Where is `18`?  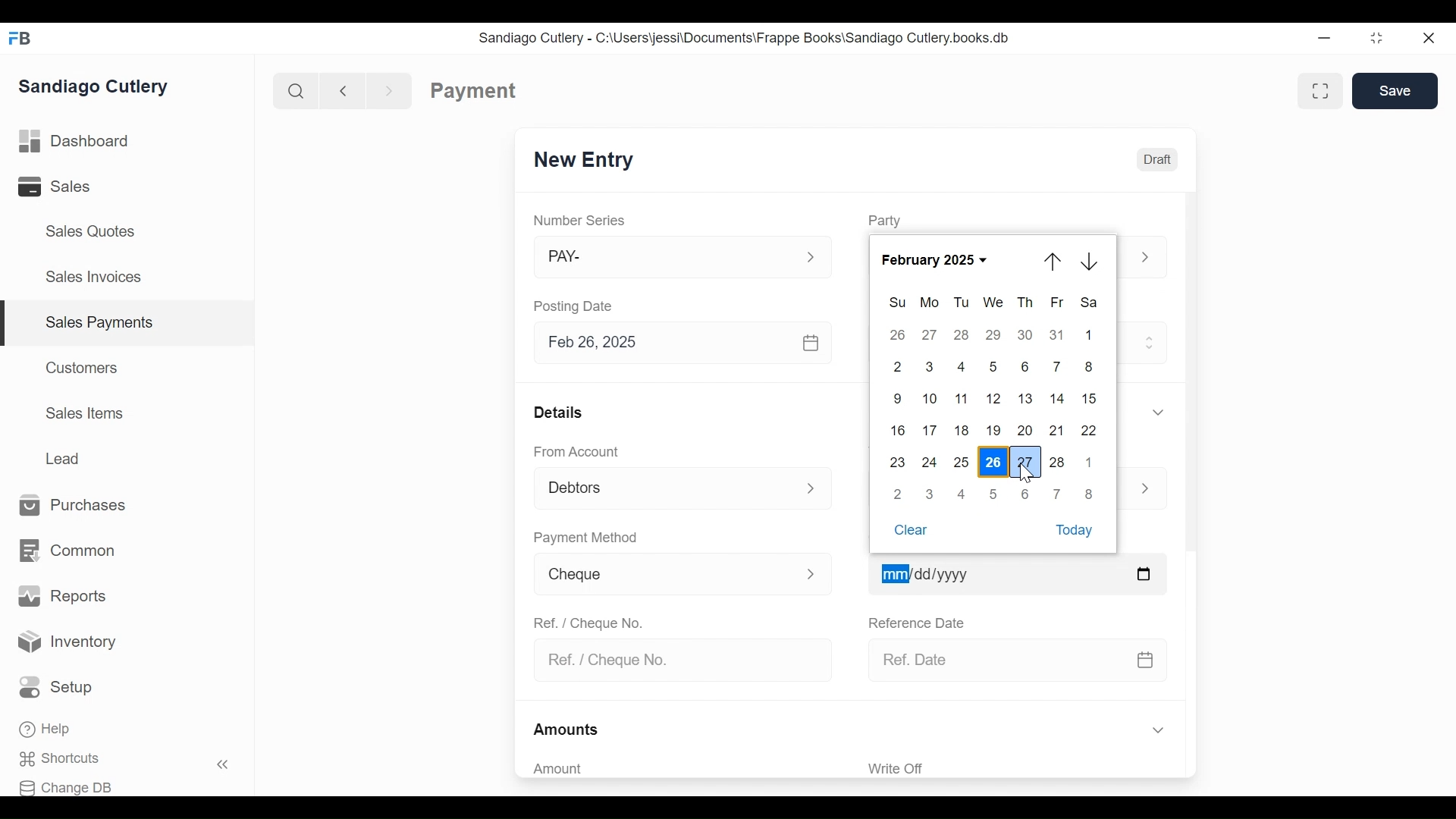 18 is located at coordinates (963, 429).